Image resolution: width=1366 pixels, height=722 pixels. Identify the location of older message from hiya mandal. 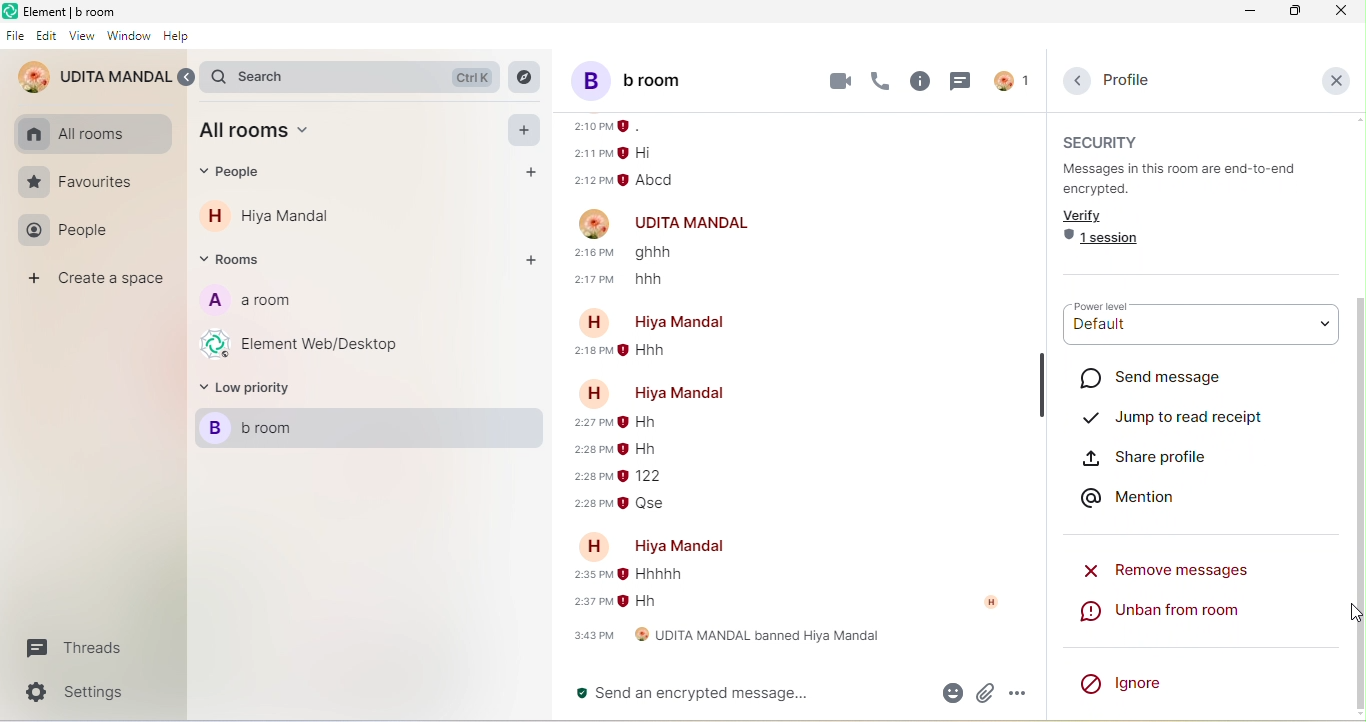
(627, 353).